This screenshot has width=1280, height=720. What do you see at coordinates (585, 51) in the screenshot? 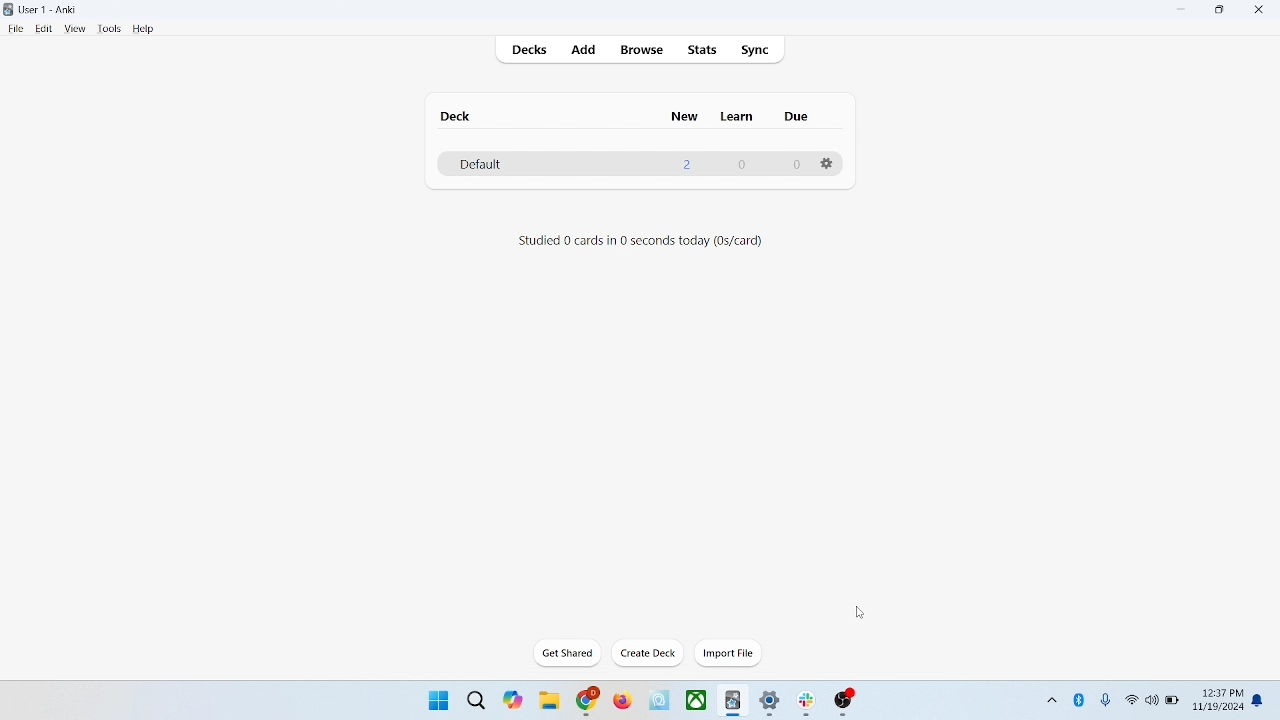
I see `add` at bounding box center [585, 51].